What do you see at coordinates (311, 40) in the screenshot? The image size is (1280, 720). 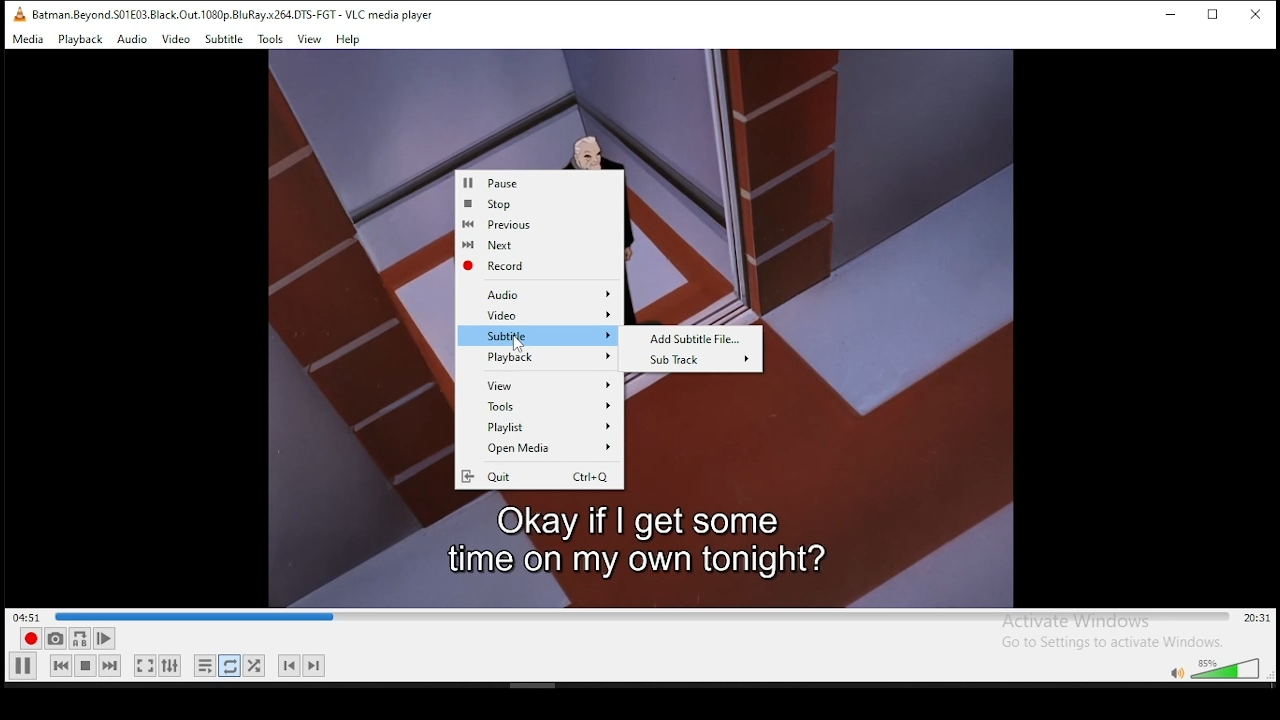 I see `View` at bounding box center [311, 40].